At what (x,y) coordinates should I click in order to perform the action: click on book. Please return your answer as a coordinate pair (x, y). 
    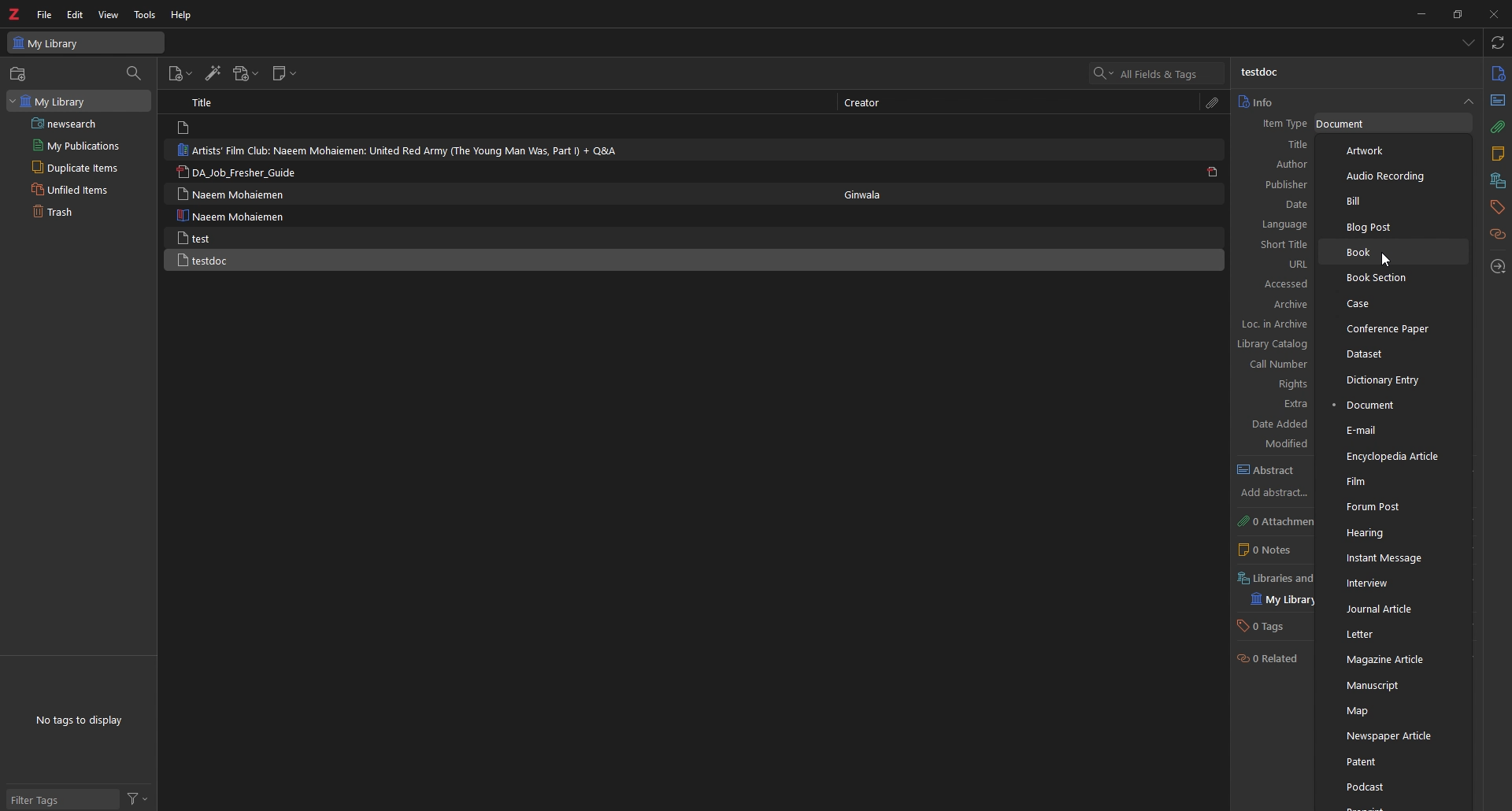
    Looking at the image, I should click on (1395, 253).